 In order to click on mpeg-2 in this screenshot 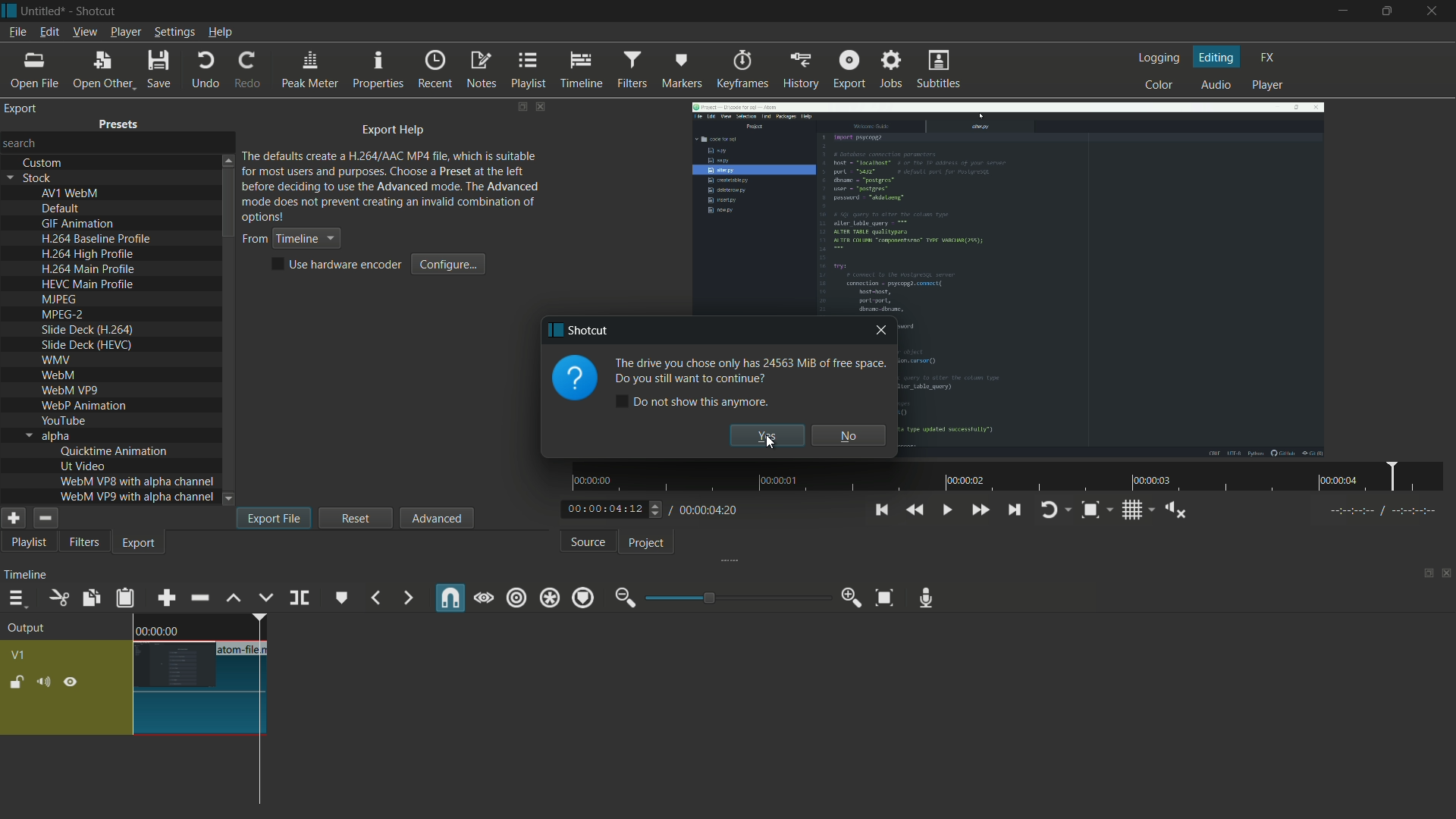, I will do `click(61, 315)`.